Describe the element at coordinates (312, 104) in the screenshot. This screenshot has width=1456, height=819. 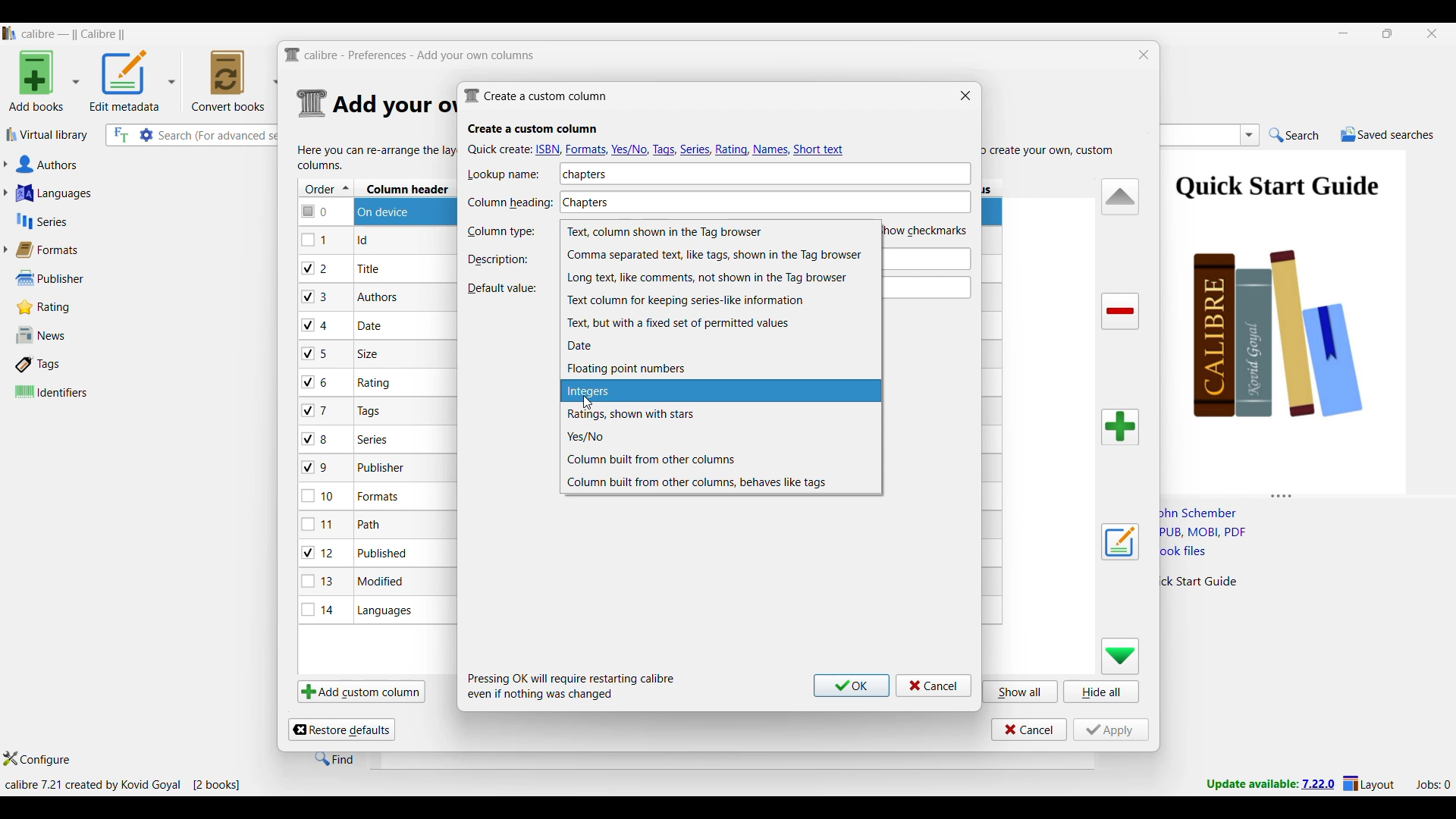
I see `Logo of current settings` at that location.